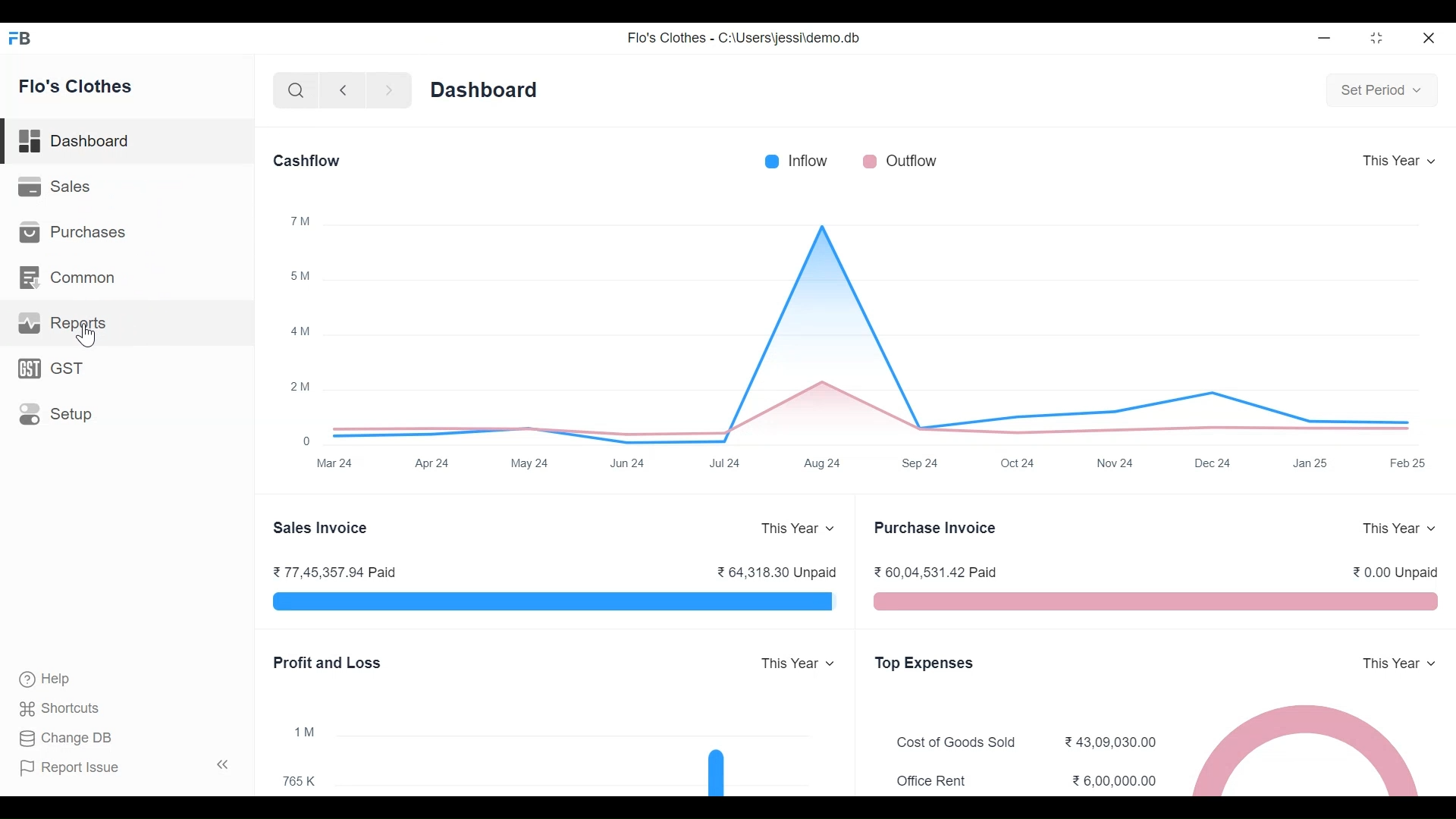 This screenshot has height=819, width=1456. I want to click on 64,318.30 Unpaid, so click(776, 570).